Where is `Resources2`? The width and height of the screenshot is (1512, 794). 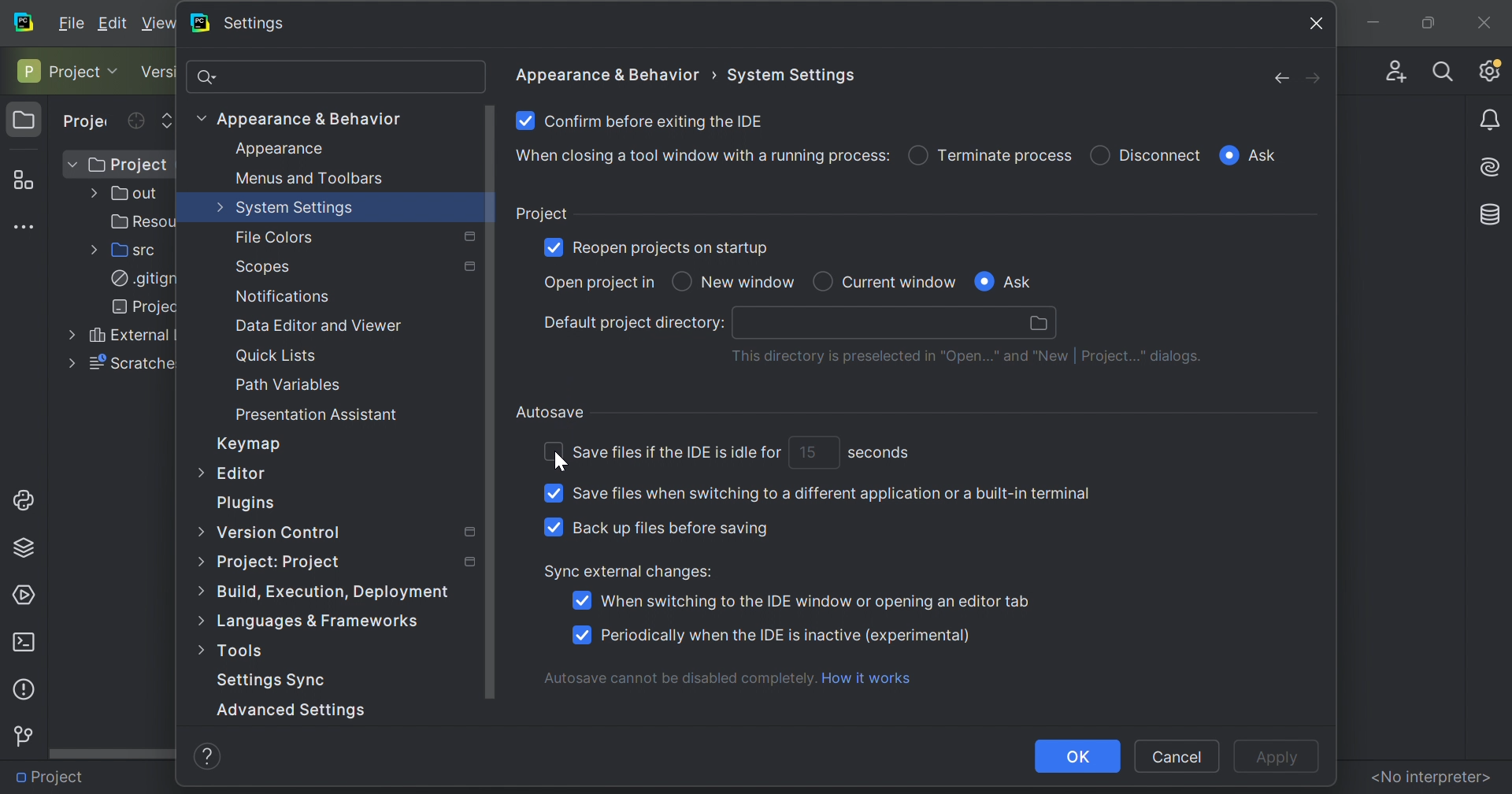 Resources2 is located at coordinates (137, 221).